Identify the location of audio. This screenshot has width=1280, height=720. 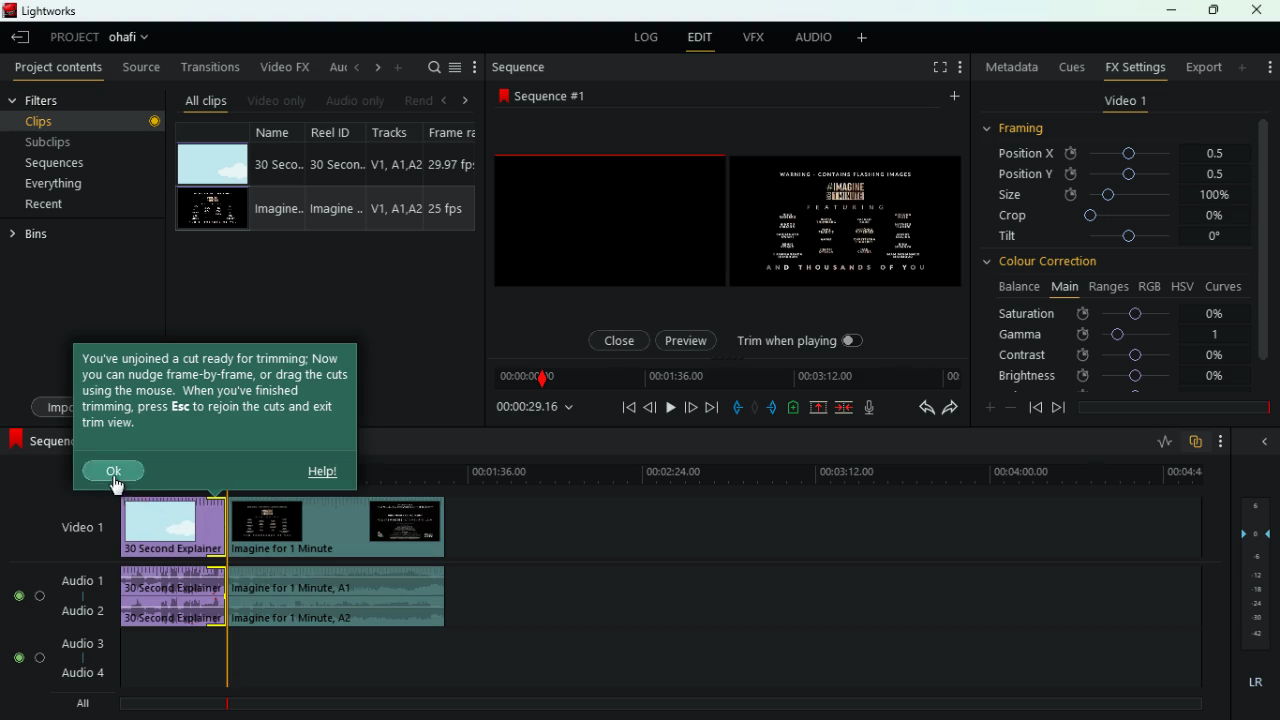
(176, 597).